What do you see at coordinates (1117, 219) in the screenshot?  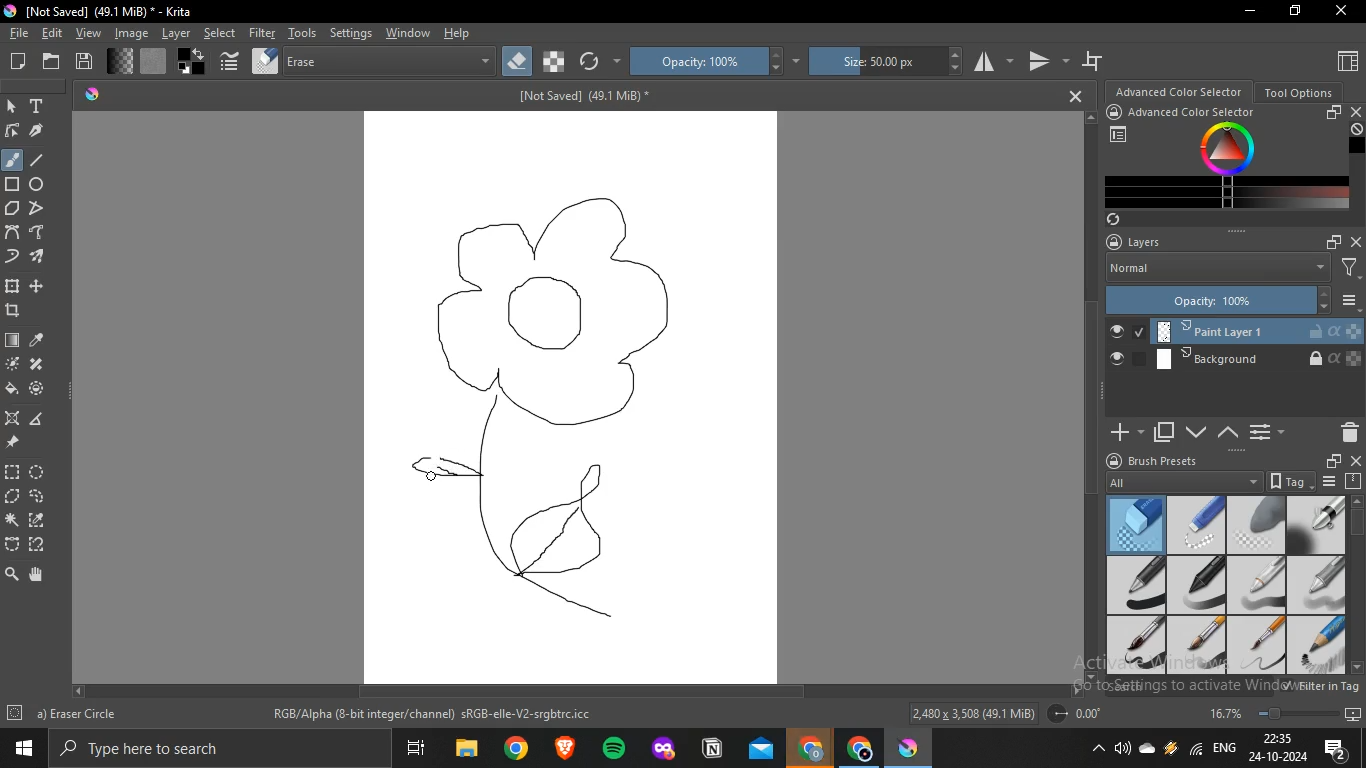 I see `Sync` at bounding box center [1117, 219].